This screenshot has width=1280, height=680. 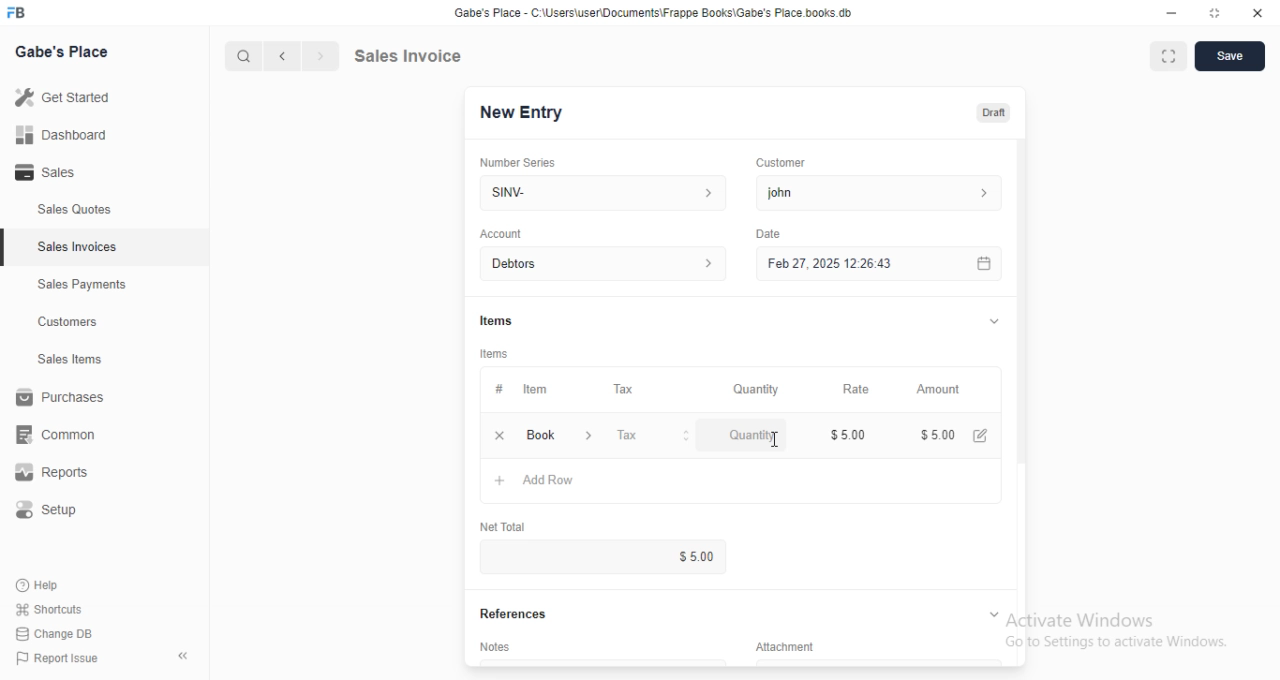 I want to click on Close, so click(x=1257, y=14).